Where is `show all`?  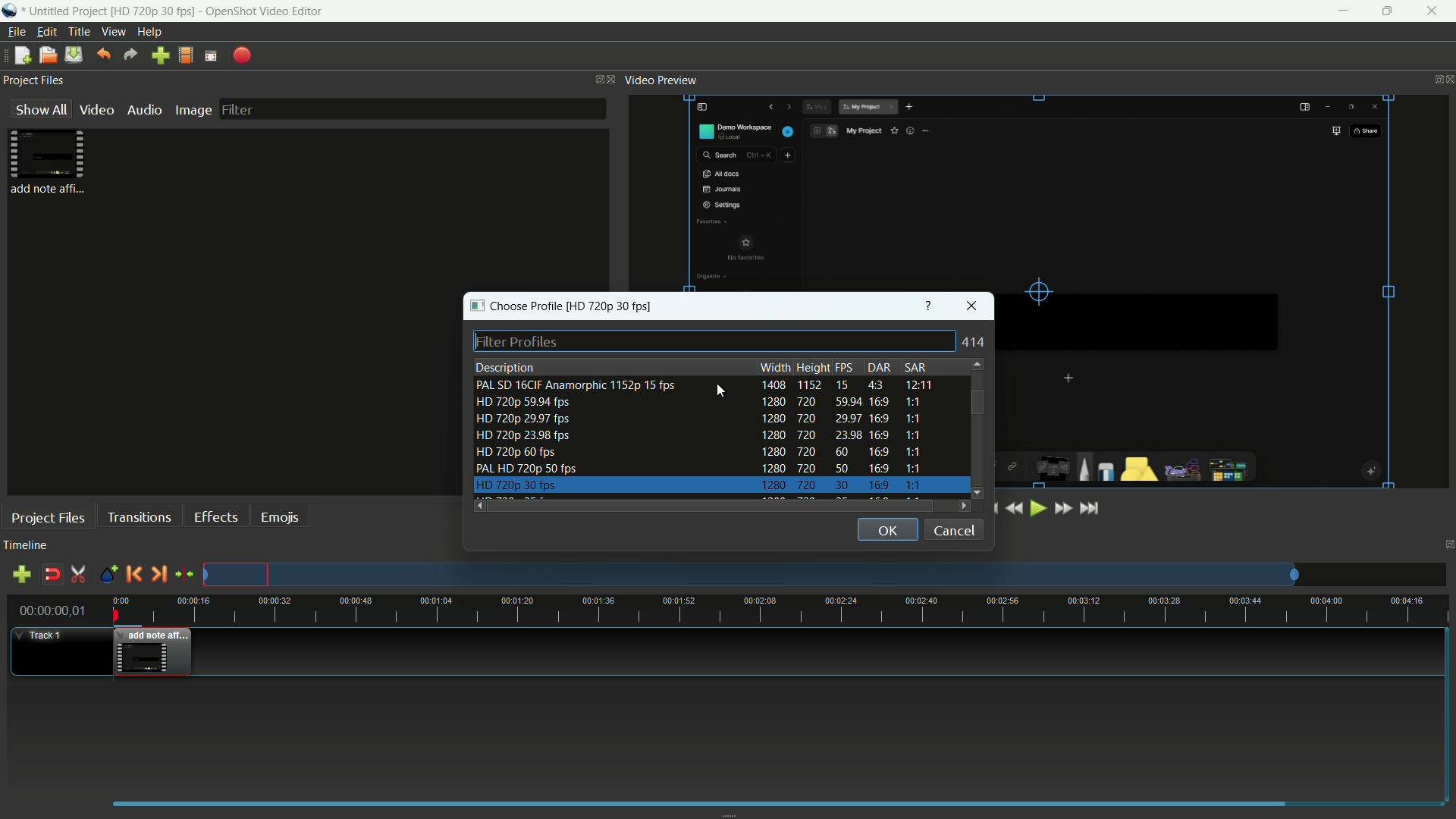
show all is located at coordinates (38, 109).